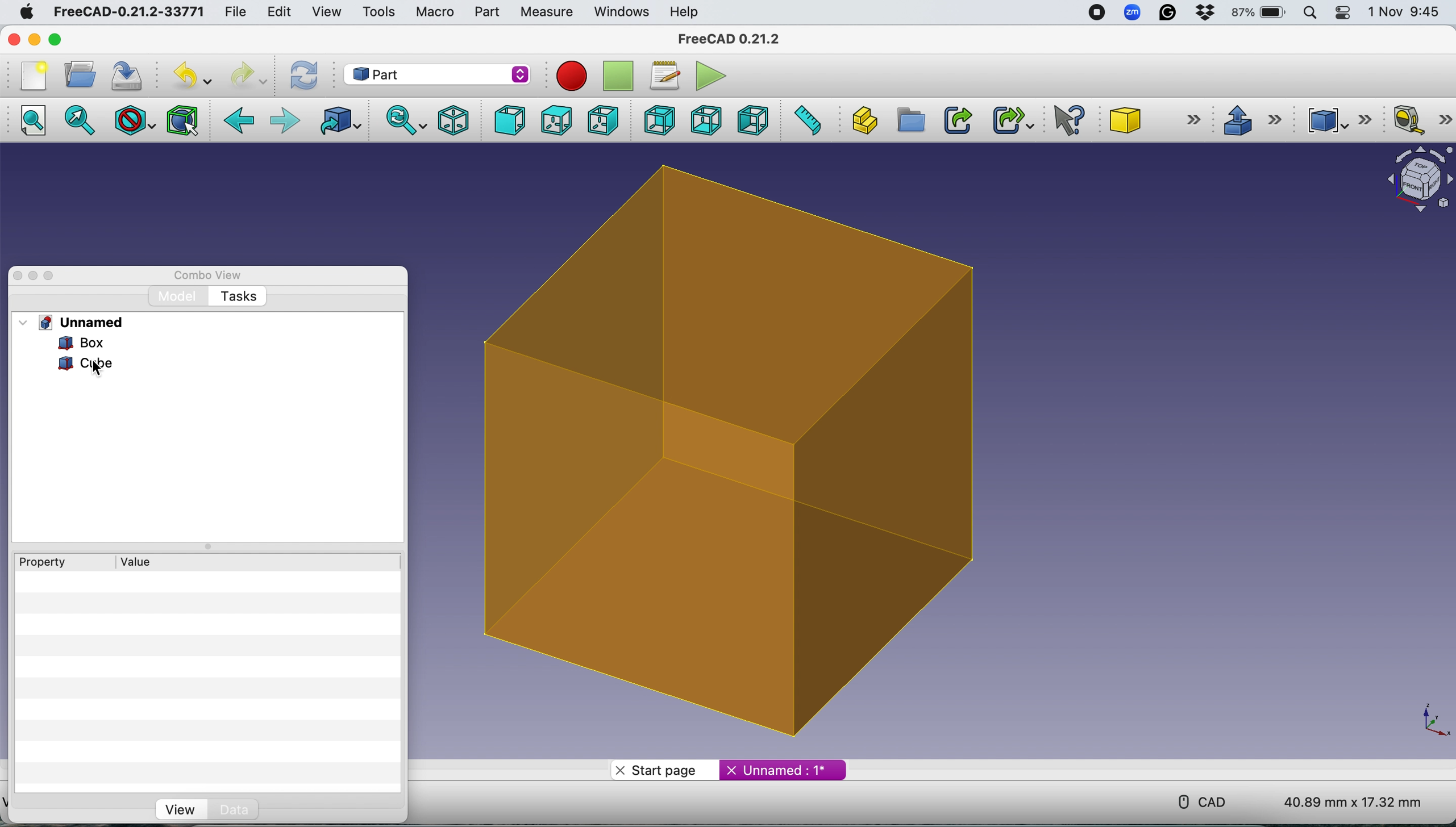 Image resolution: width=1456 pixels, height=827 pixels. I want to click on Execute macros, so click(714, 74).